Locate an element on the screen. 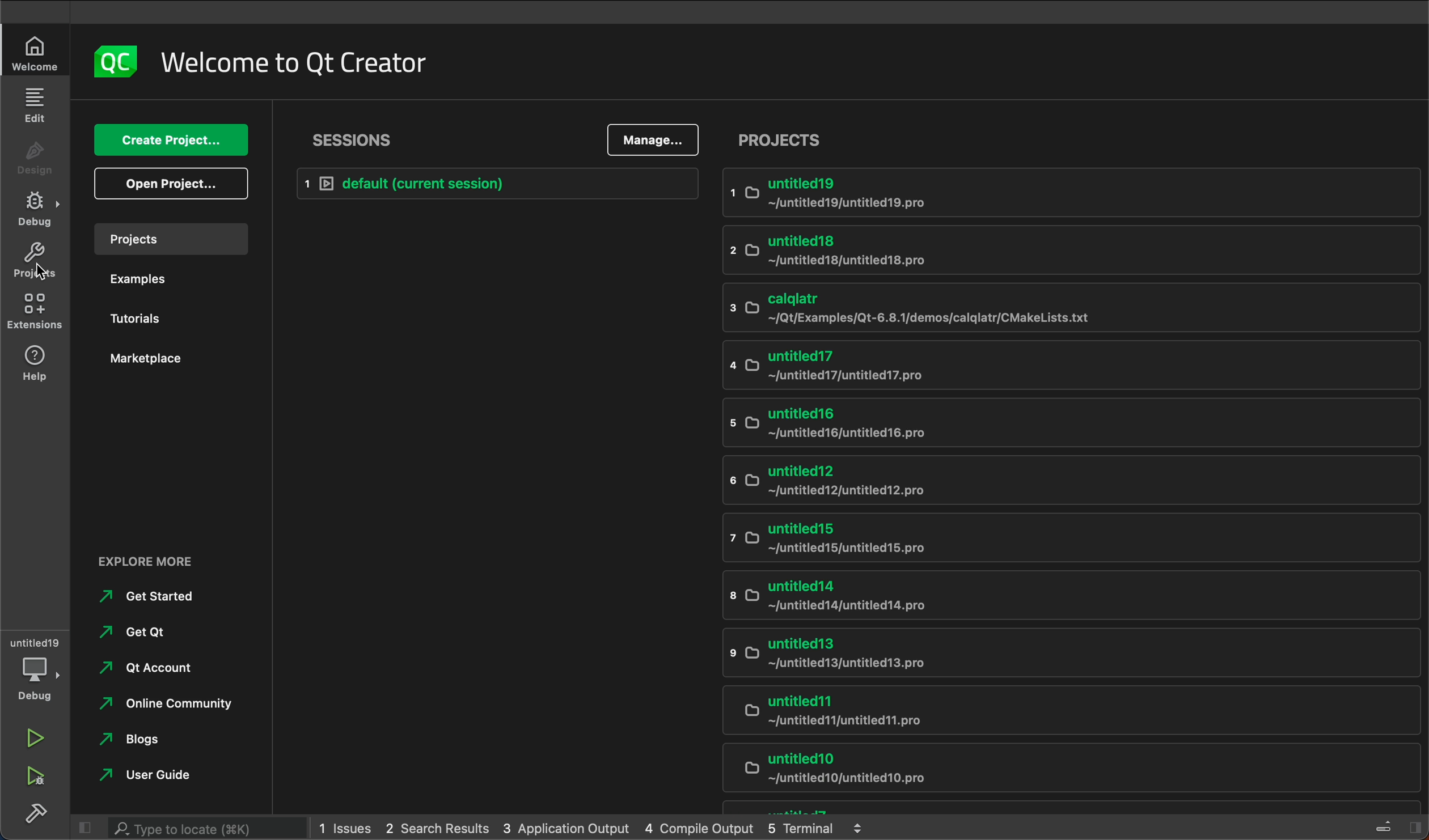 Image resolution: width=1429 pixels, height=840 pixels. examples is located at coordinates (147, 278).